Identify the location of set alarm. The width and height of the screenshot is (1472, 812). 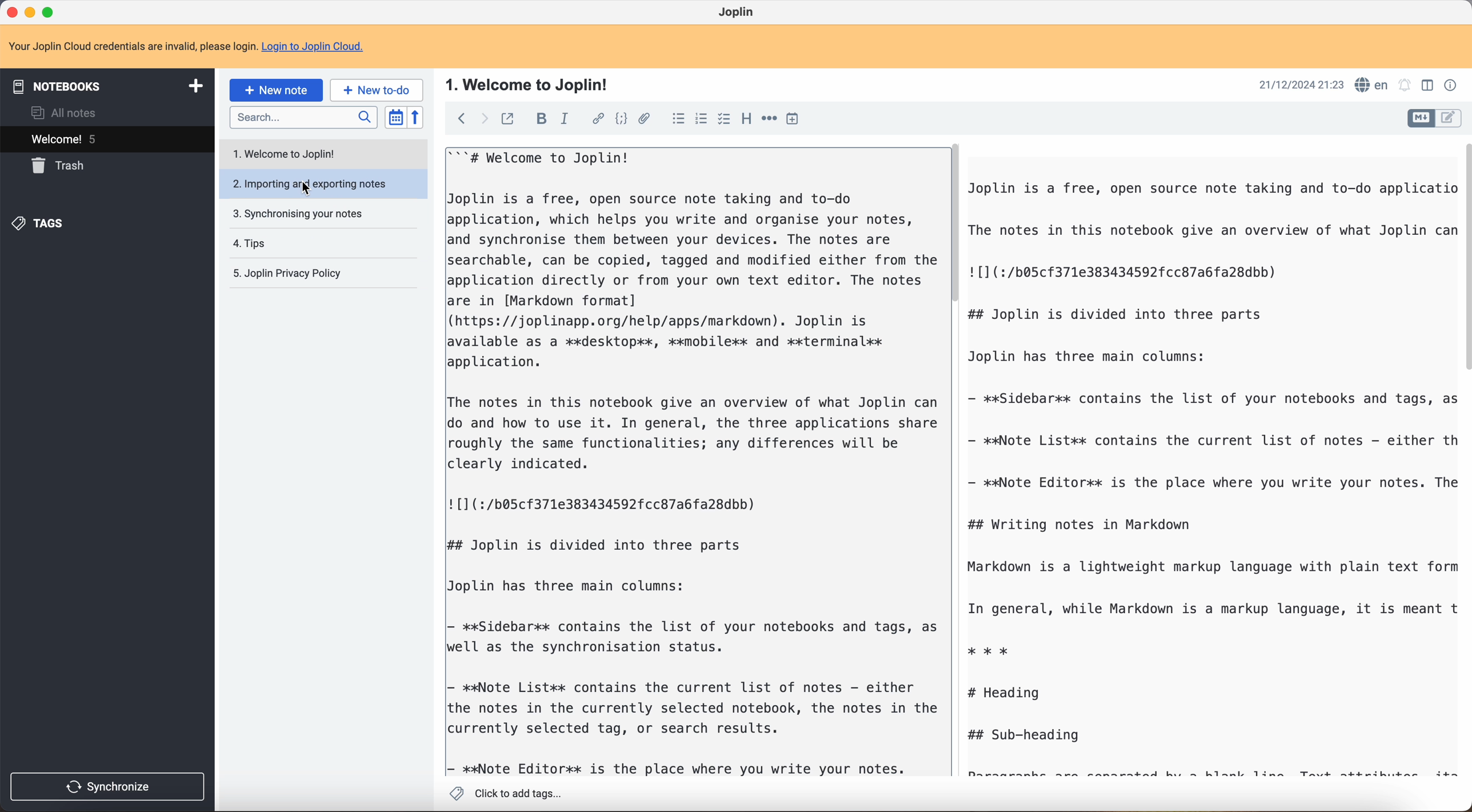
(1407, 86).